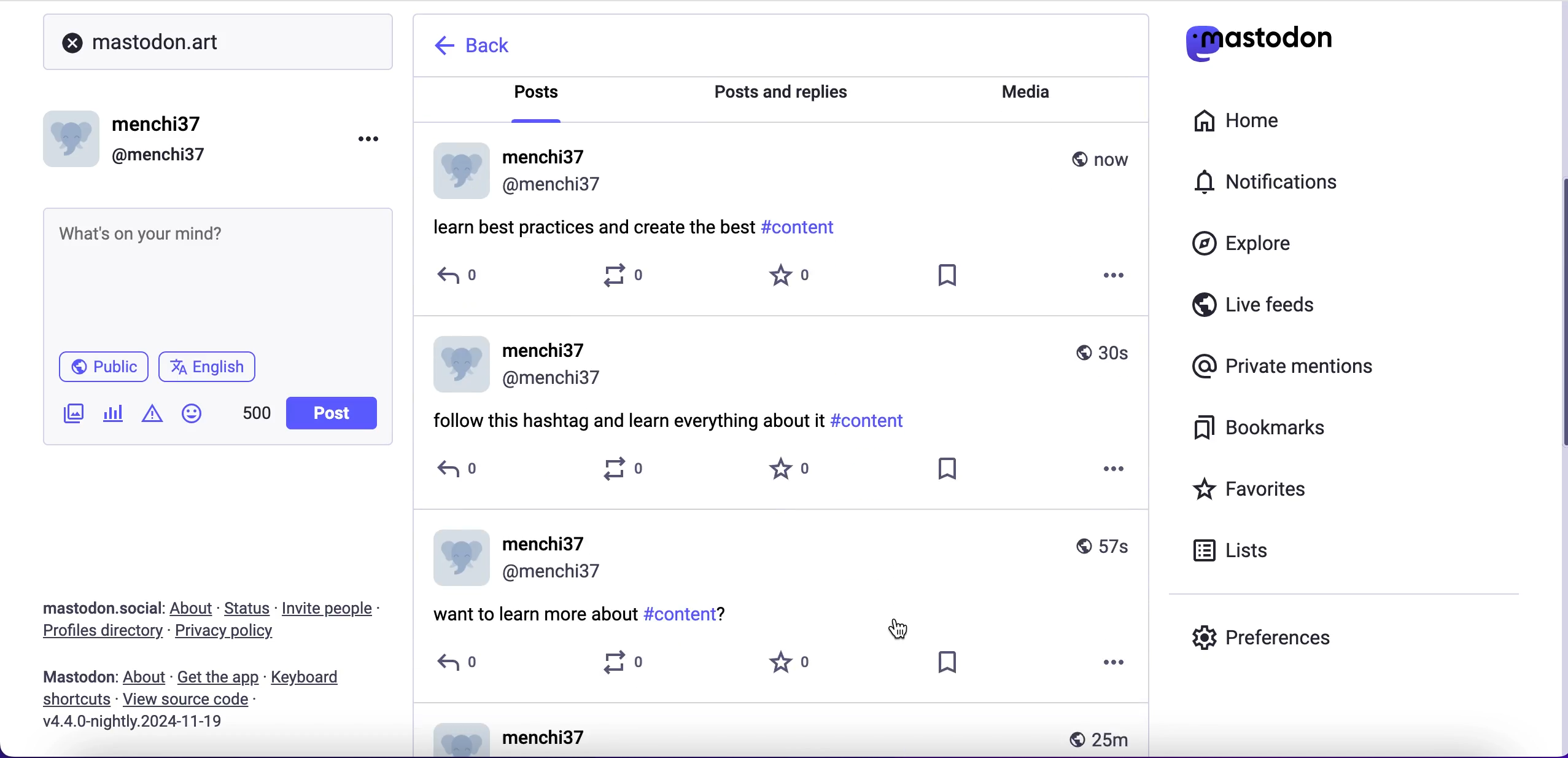 This screenshot has height=758, width=1568. I want to click on 0 replies, so click(460, 665).